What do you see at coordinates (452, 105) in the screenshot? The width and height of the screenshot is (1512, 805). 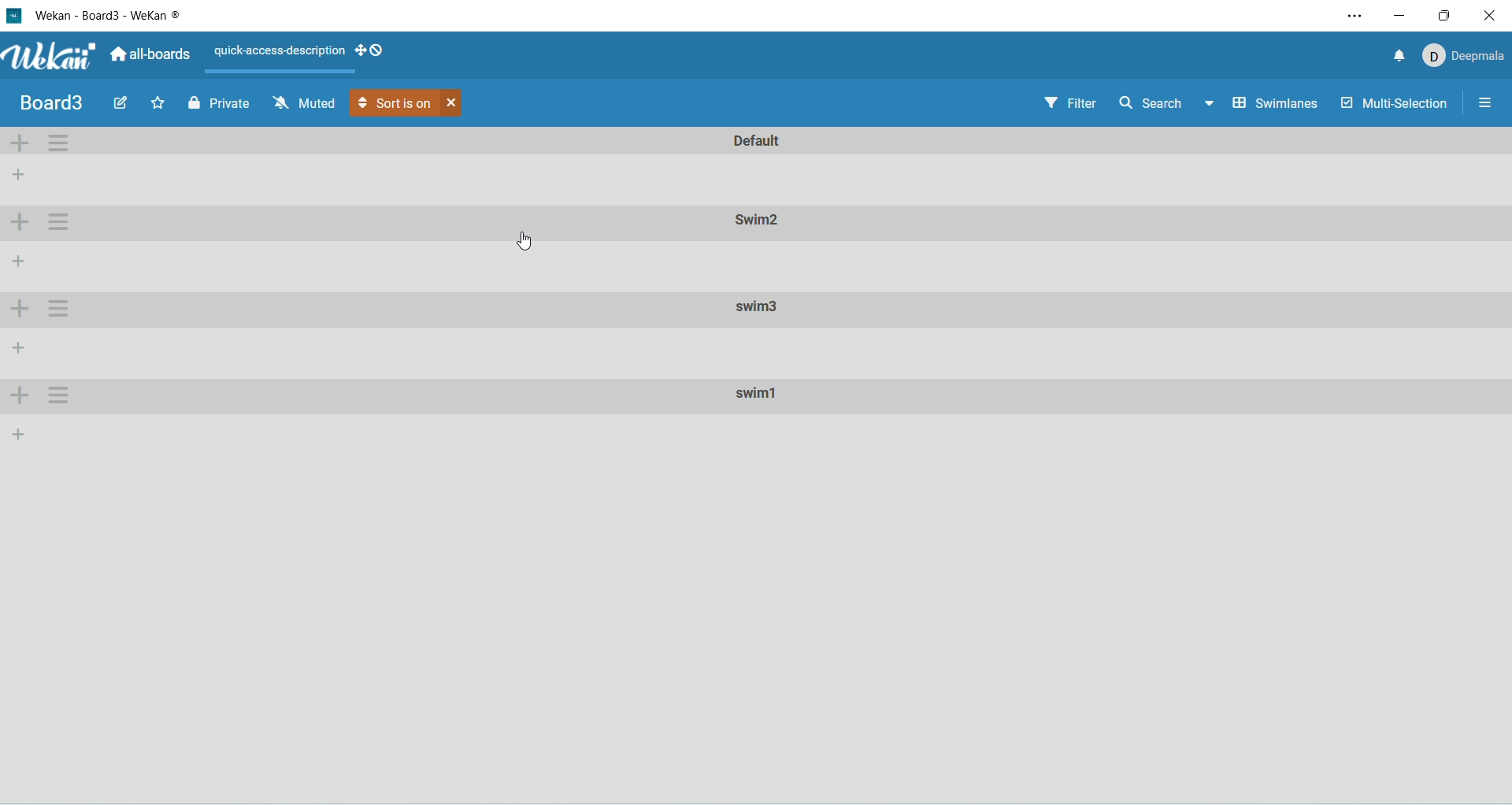 I see `close` at bounding box center [452, 105].